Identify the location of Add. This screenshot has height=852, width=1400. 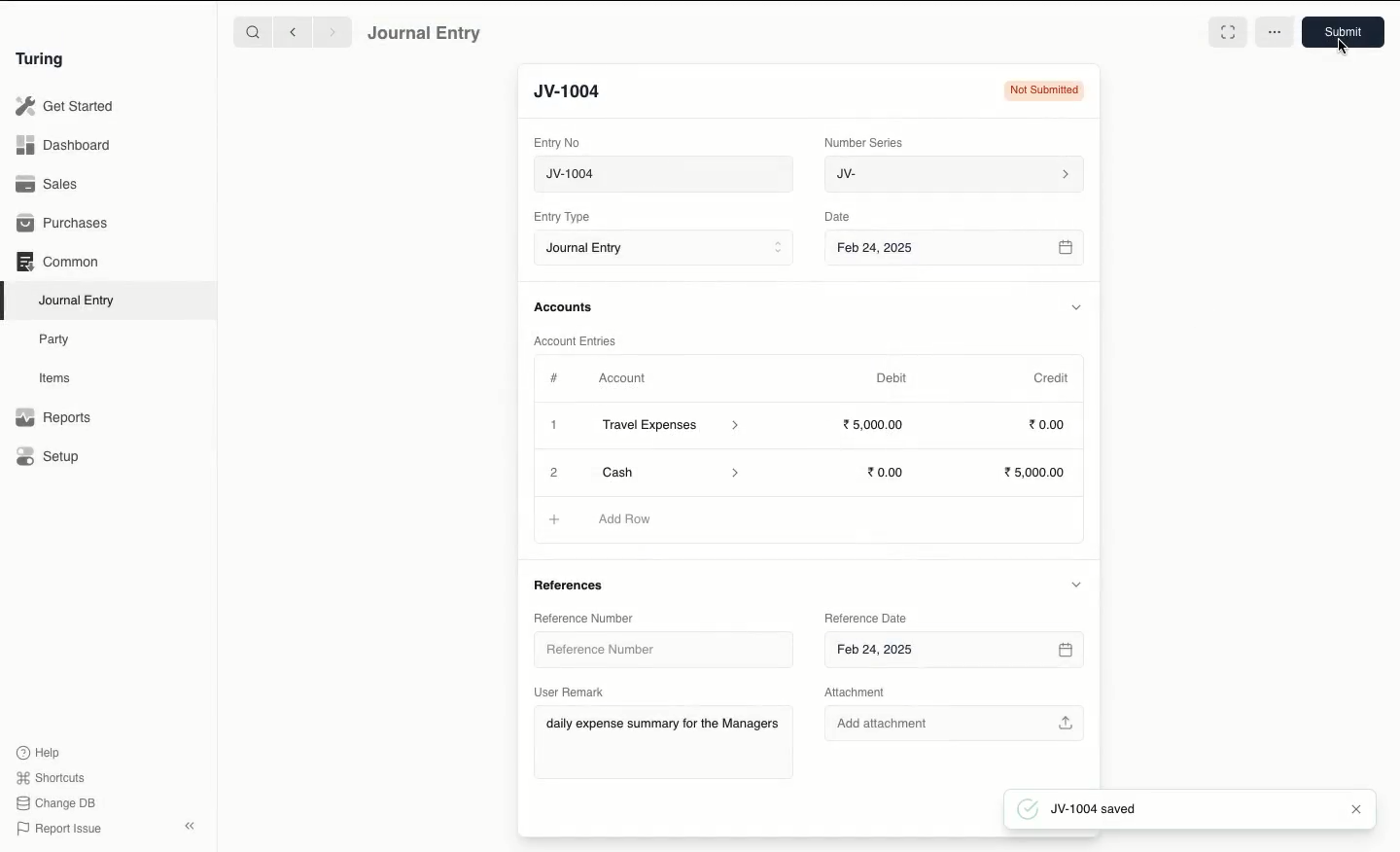
(556, 520).